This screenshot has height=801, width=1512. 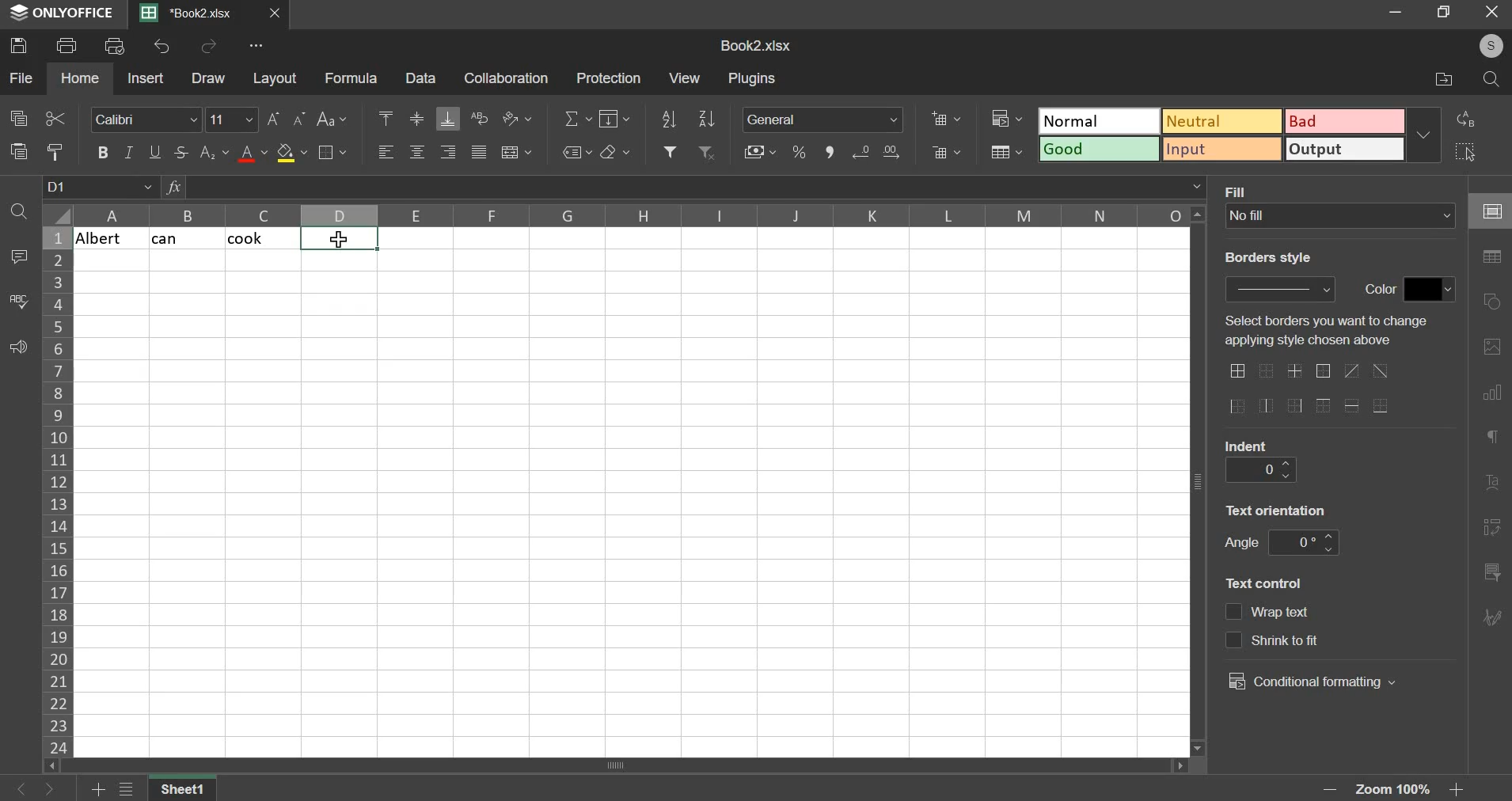 I want to click on file location, so click(x=1442, y=81).